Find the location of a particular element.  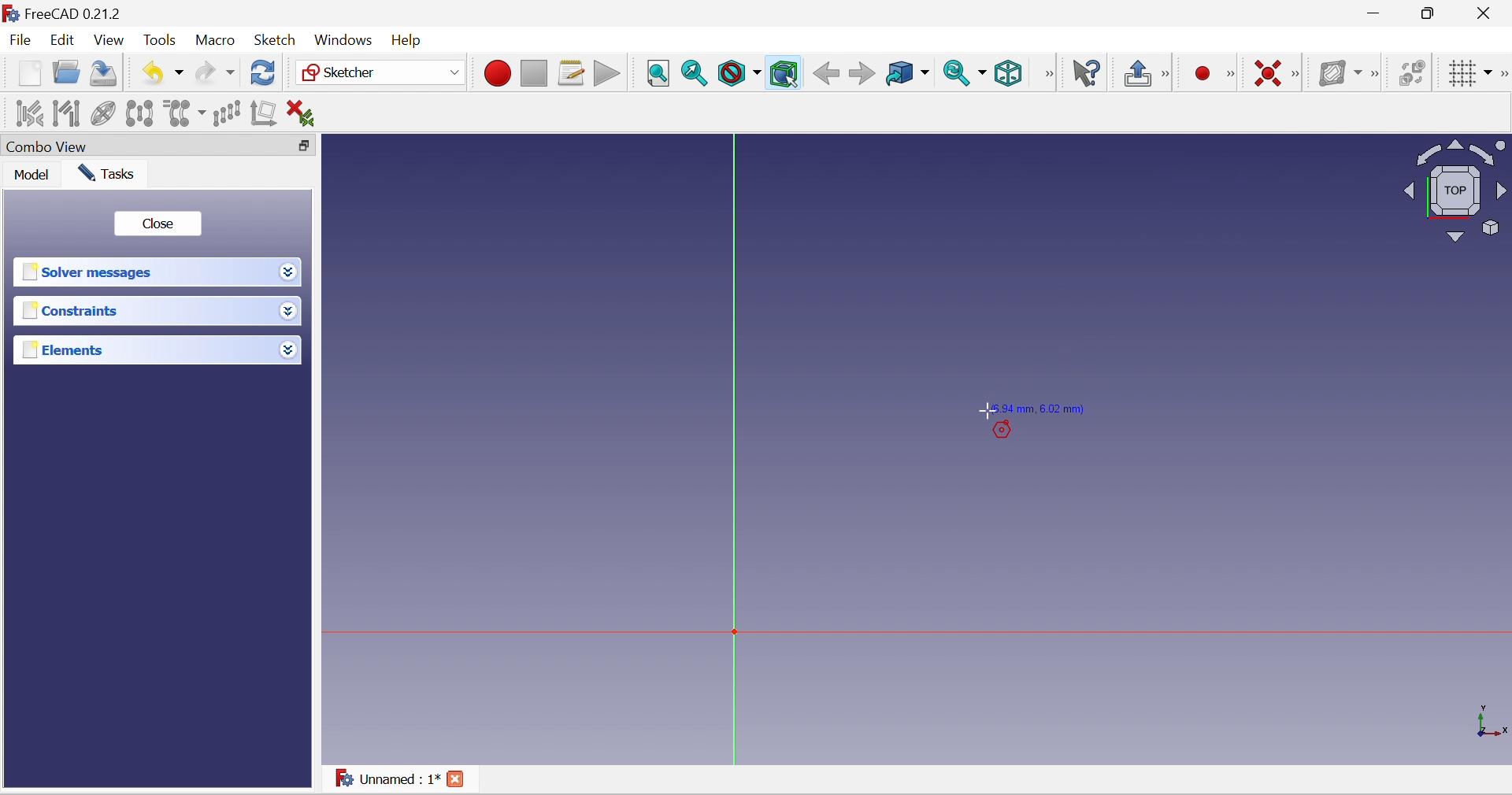

Minimize is located at coordinates (1373, 13).